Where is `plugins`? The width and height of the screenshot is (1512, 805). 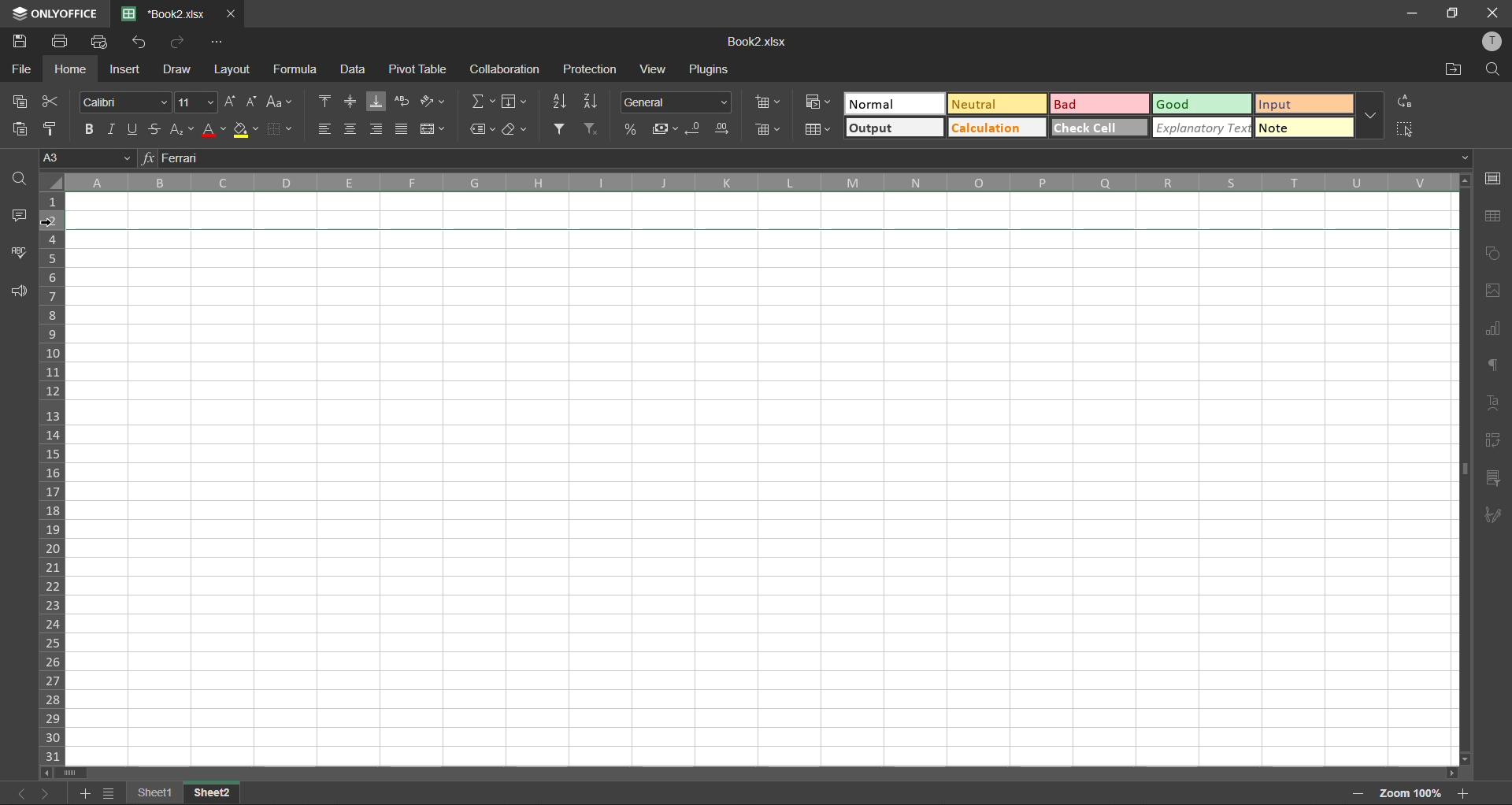 plugins is located at coordinates (707, 68).